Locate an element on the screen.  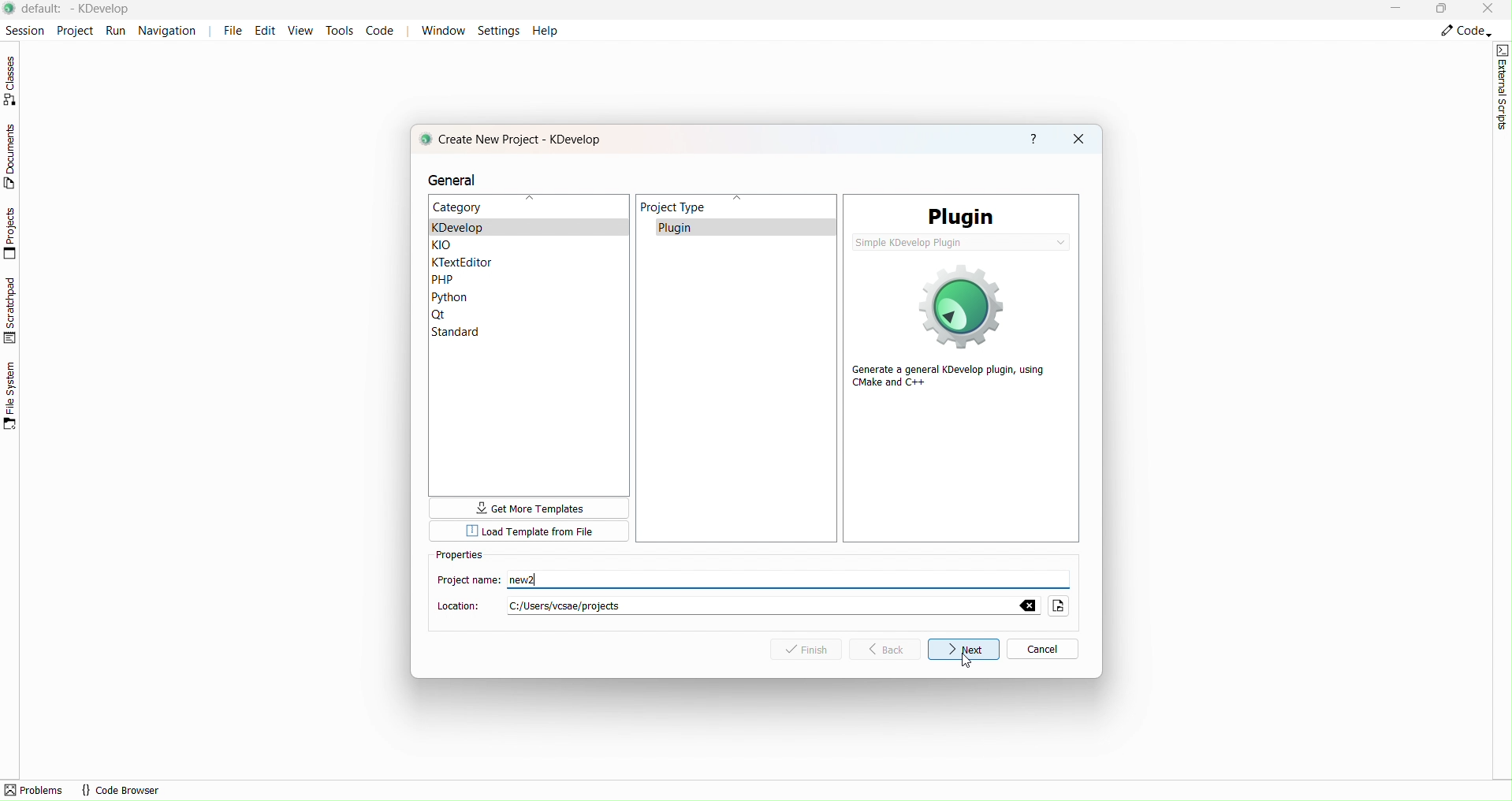
tools is located at coordinates (339, 30).